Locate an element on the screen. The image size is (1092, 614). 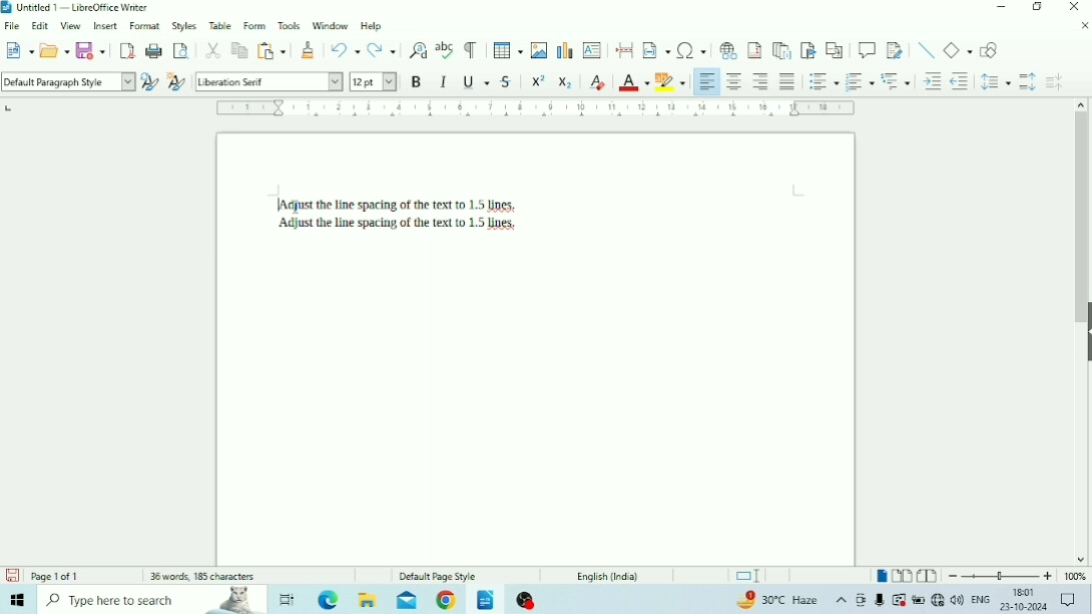
Clear Direct Formatting is located at coordinates (597, 82).